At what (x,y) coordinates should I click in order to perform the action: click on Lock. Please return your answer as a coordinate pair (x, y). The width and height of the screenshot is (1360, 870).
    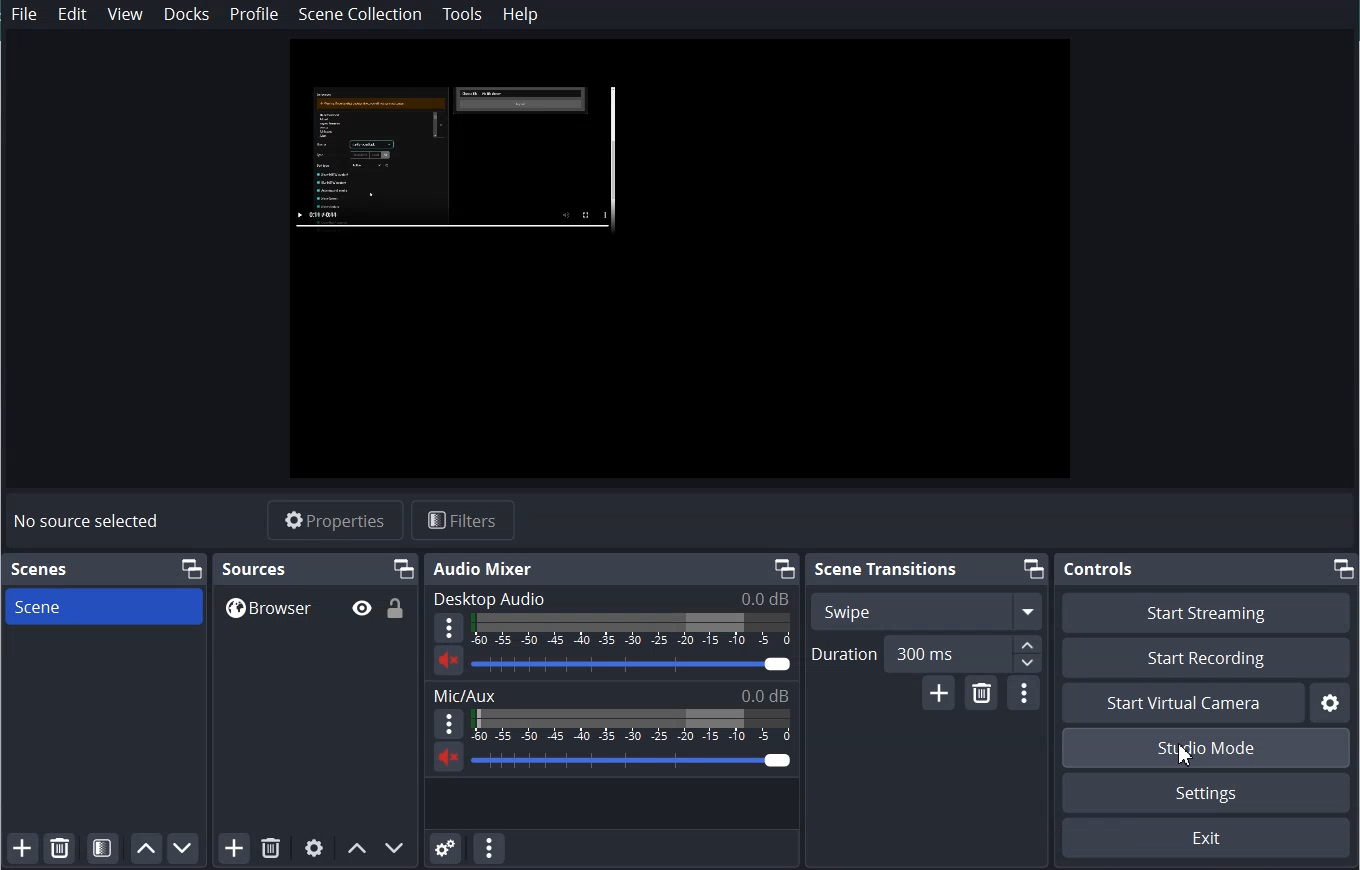
    Looking at the image, I should click on (396, 607).